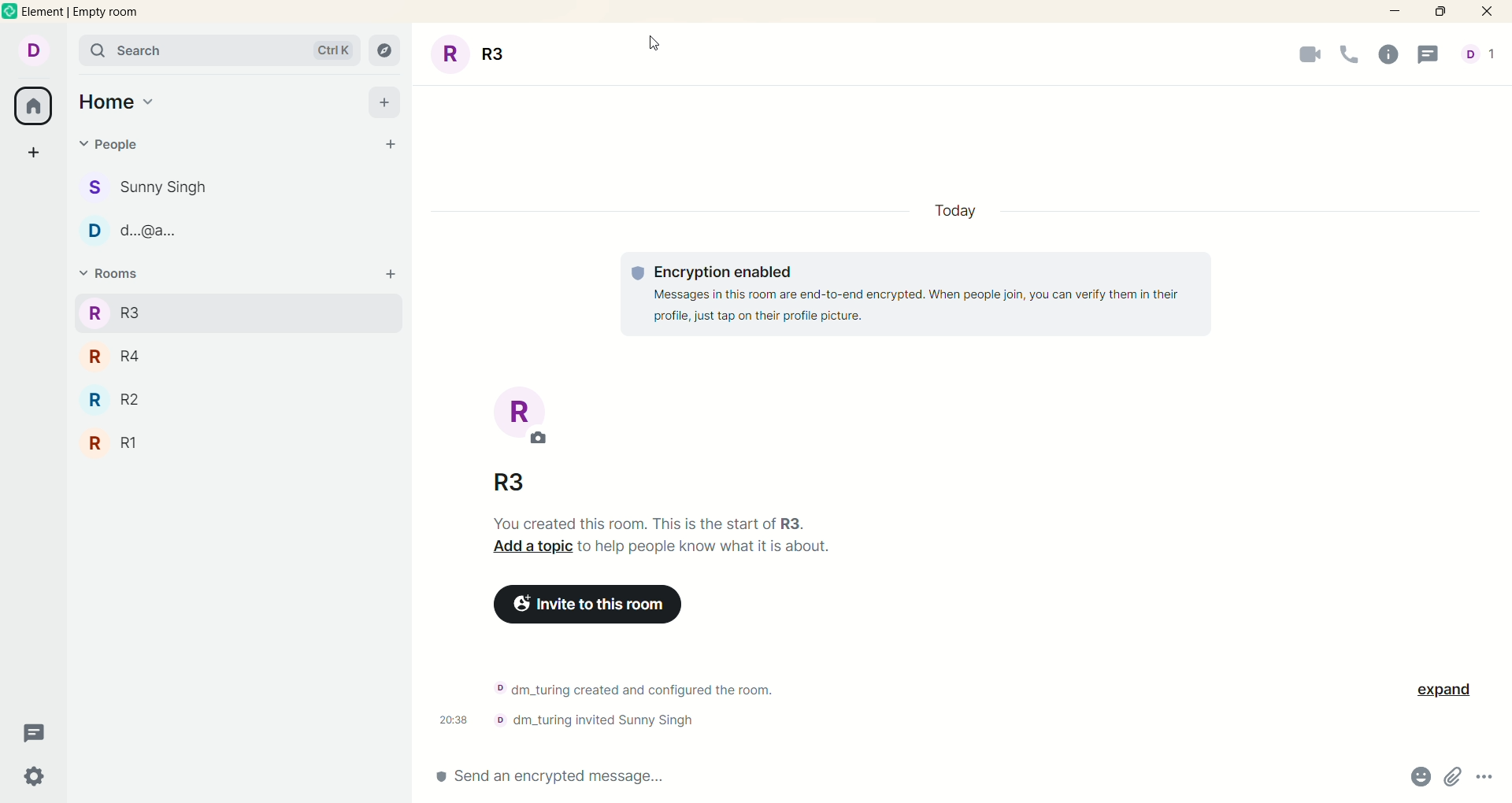  I want to click on © dm_turing created and configured the room., so click(634, 686).